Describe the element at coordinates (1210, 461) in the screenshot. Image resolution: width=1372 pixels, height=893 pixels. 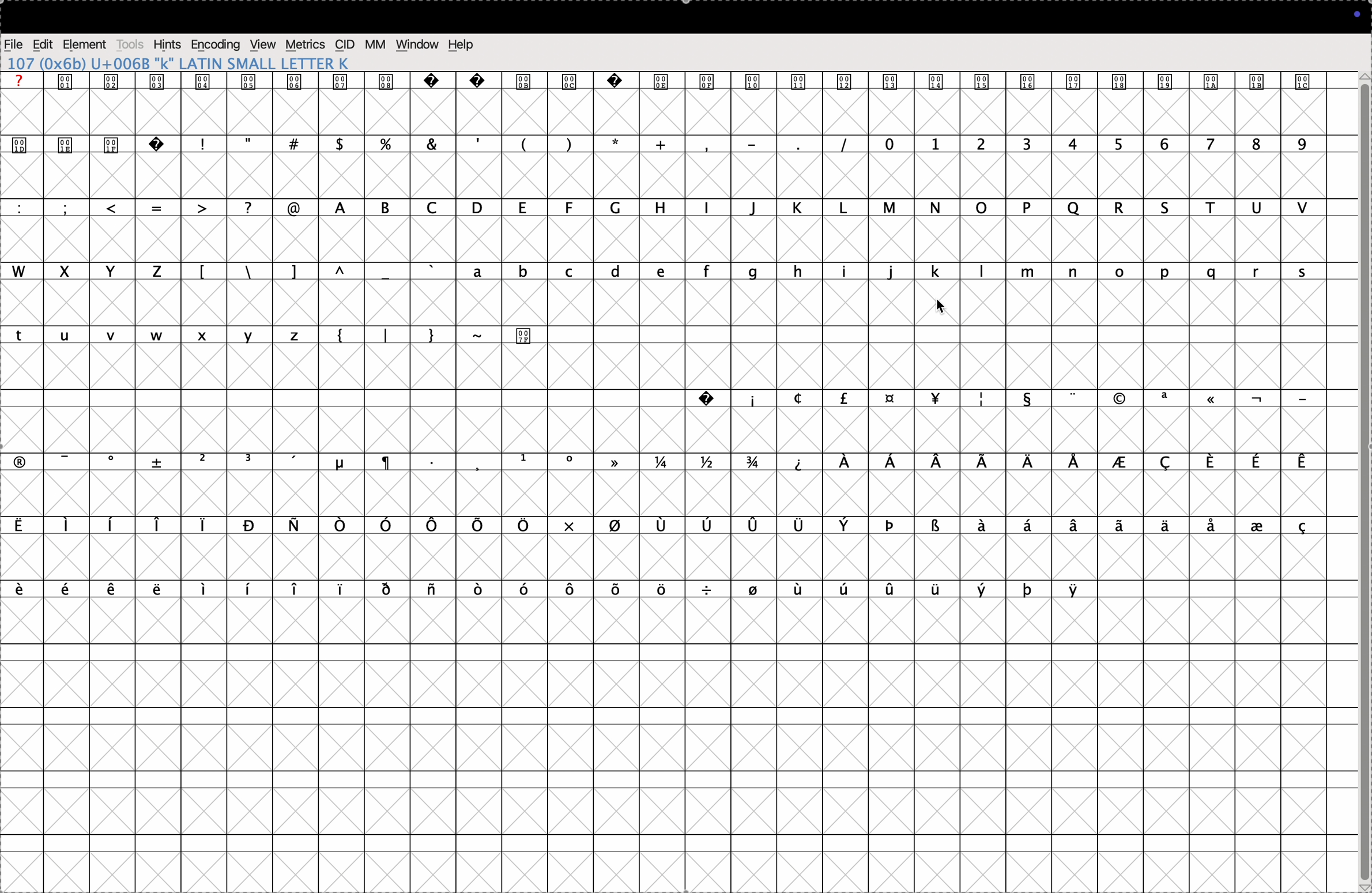
I see `E` at that location.